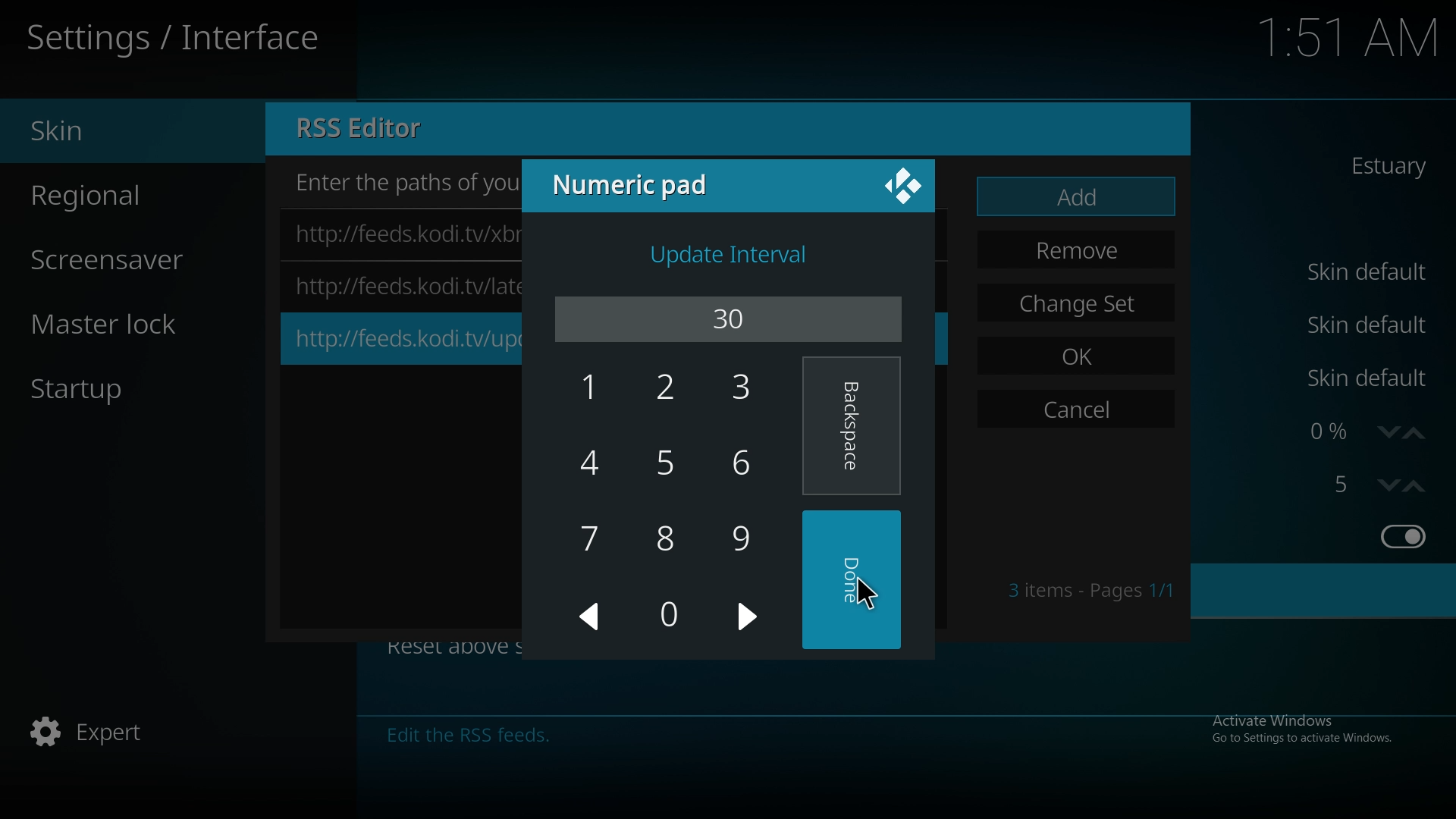 The width and height of the screenshot is (1456, 819). Describe the element at coordinates (903, 187) in the screenshot. I see `options` at that location.